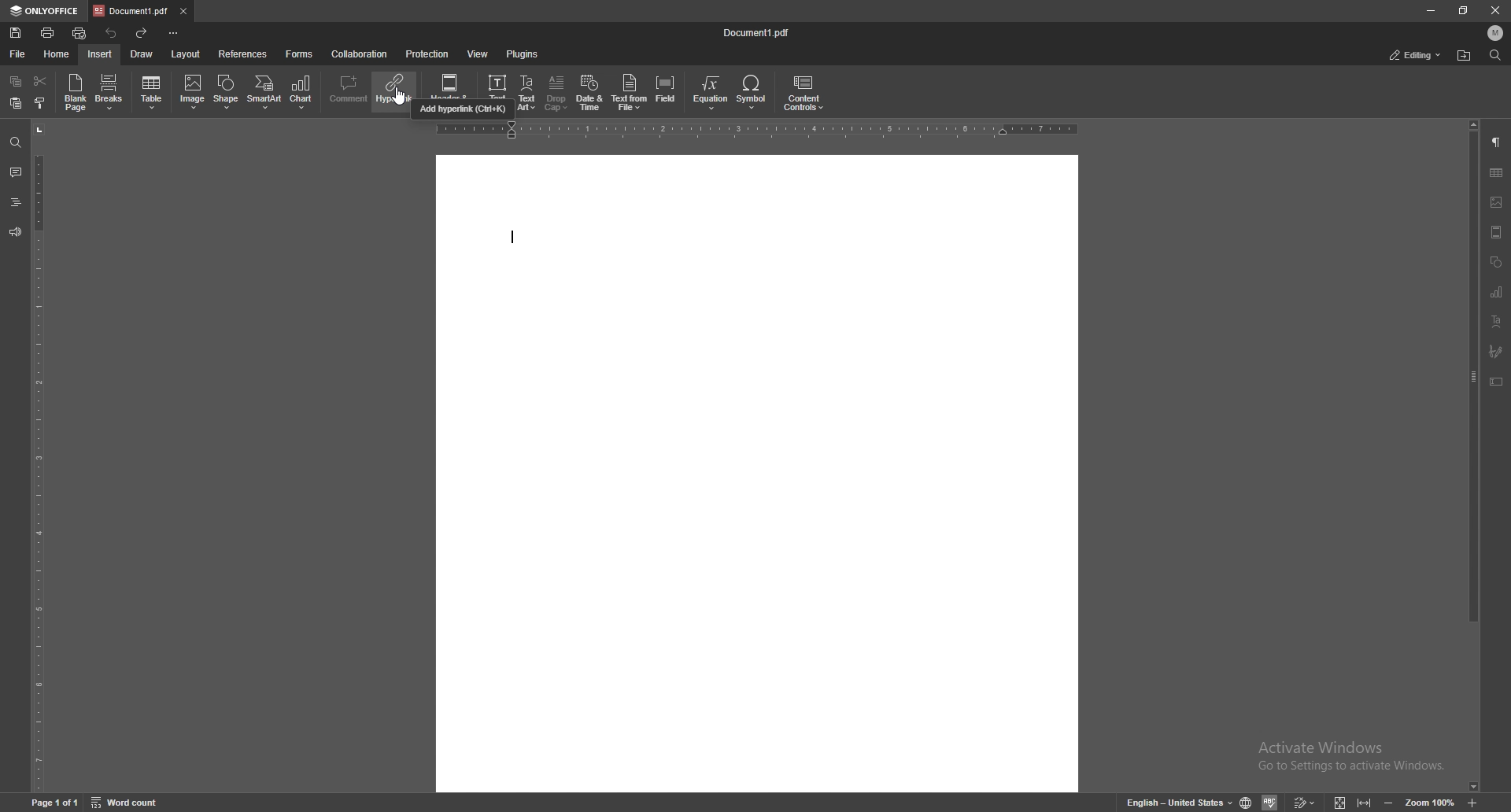  What do you see at coordinates (298, 54) in the screenshot?
I see `forms` at bounding box center [298, 54].